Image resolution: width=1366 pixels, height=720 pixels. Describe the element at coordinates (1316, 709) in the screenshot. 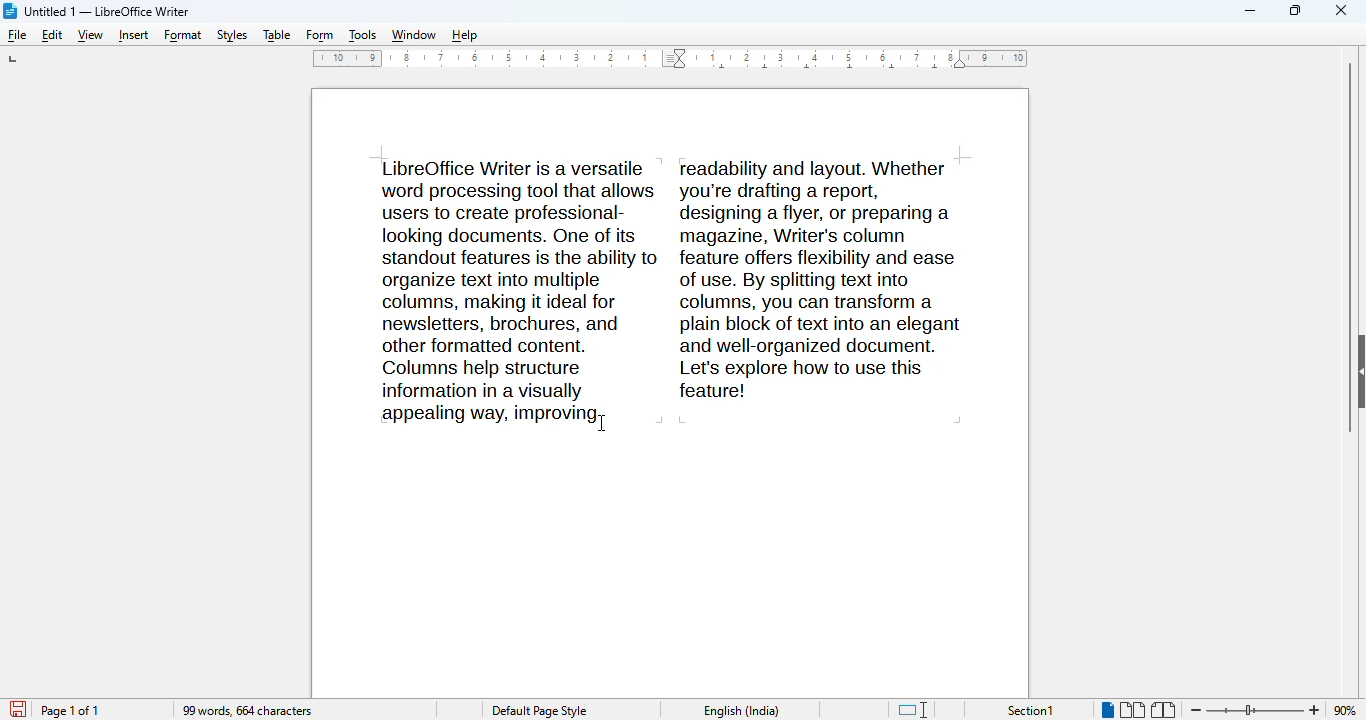

I see `zoom in` at that location.